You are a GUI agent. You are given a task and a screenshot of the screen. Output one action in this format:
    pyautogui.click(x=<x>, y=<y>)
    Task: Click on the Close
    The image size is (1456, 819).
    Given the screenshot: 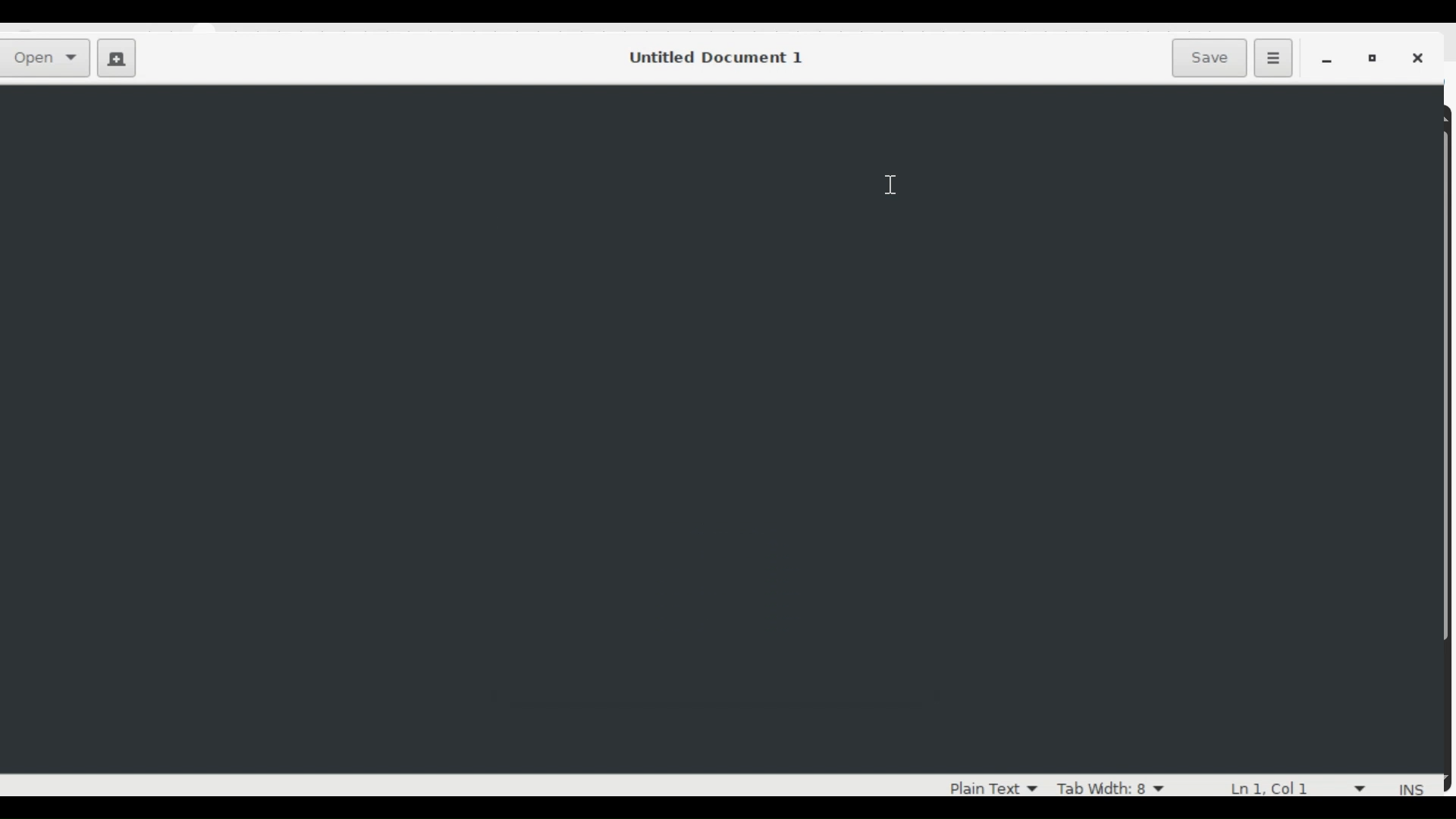 What is the action you would take?
    pyautogui.click(x=1422, y=60)
    